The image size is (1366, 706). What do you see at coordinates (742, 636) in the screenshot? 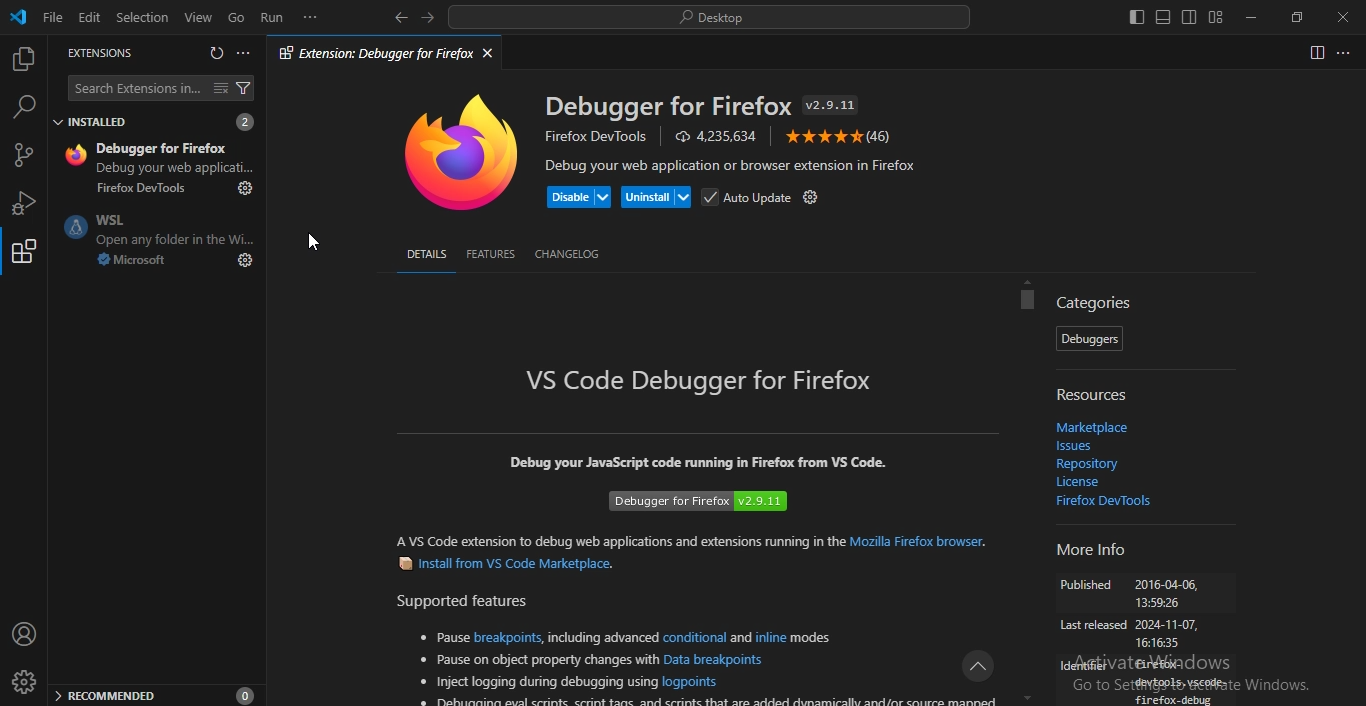
I see `and` at bounding box center [742, 636].